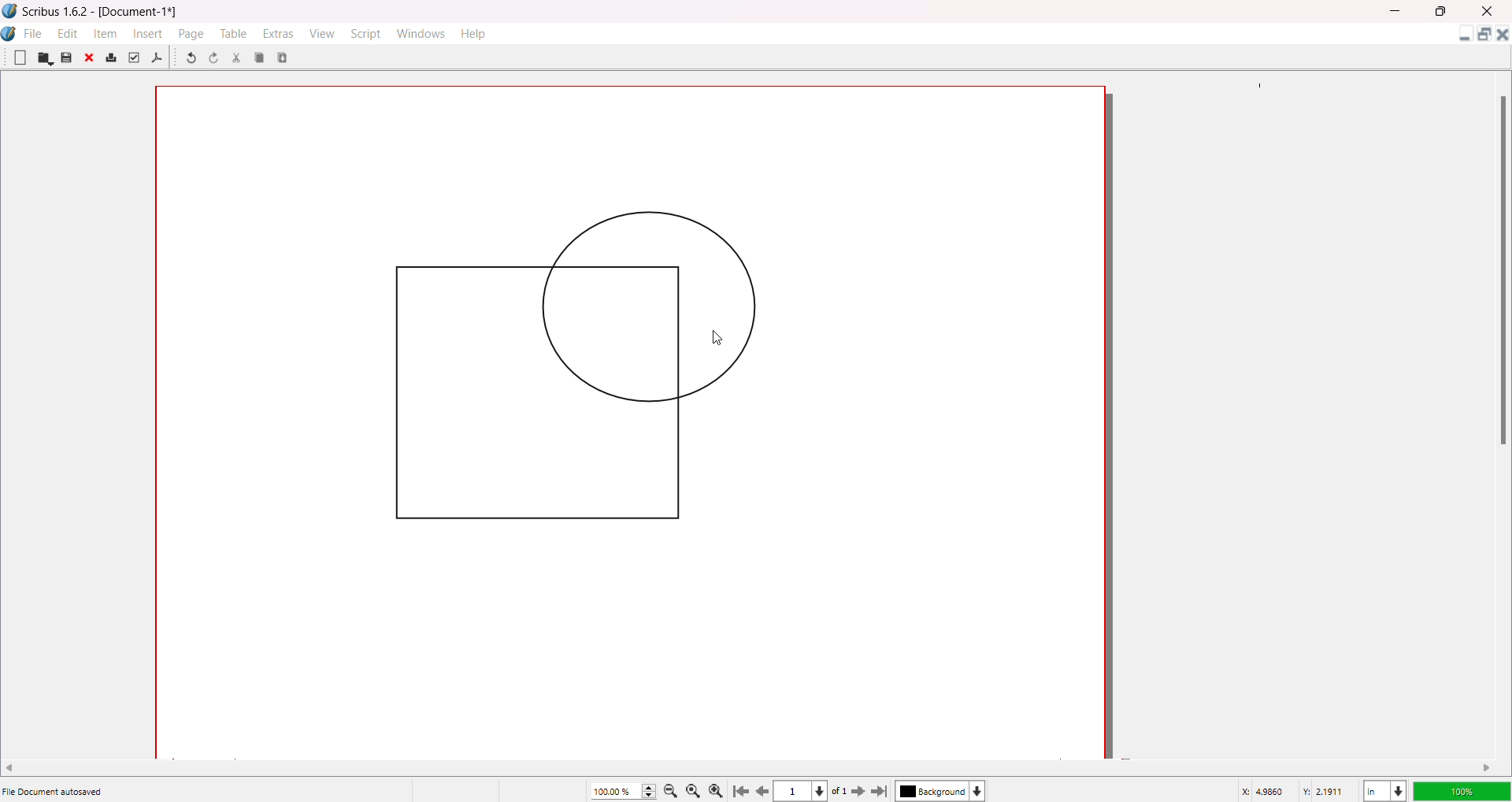 The width and height of the screenshot is (1512, 802). Describe the element at coordinates (45, 58) in the screenshot. I see `Open` at that location.